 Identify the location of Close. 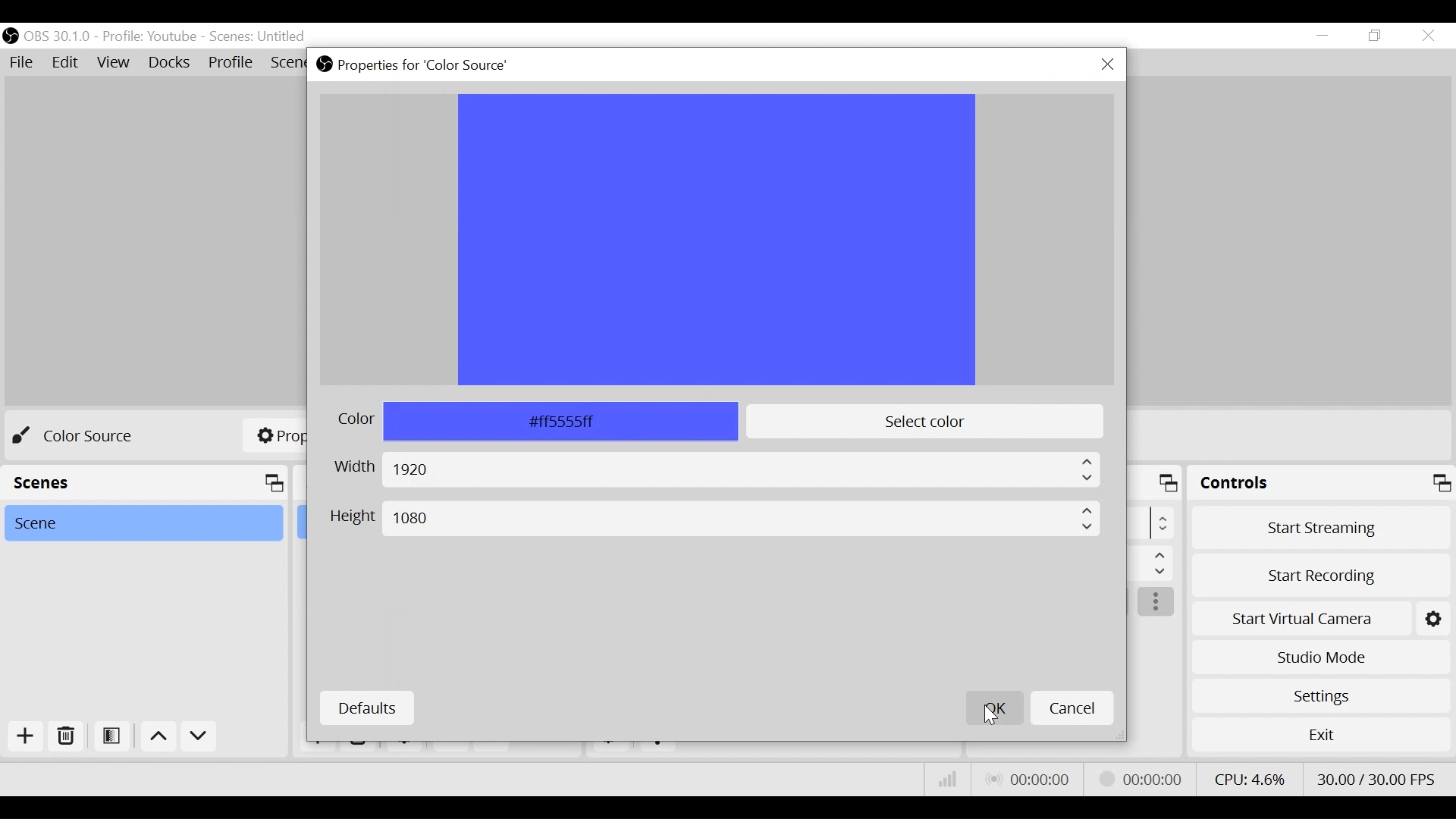
(1427, 37).